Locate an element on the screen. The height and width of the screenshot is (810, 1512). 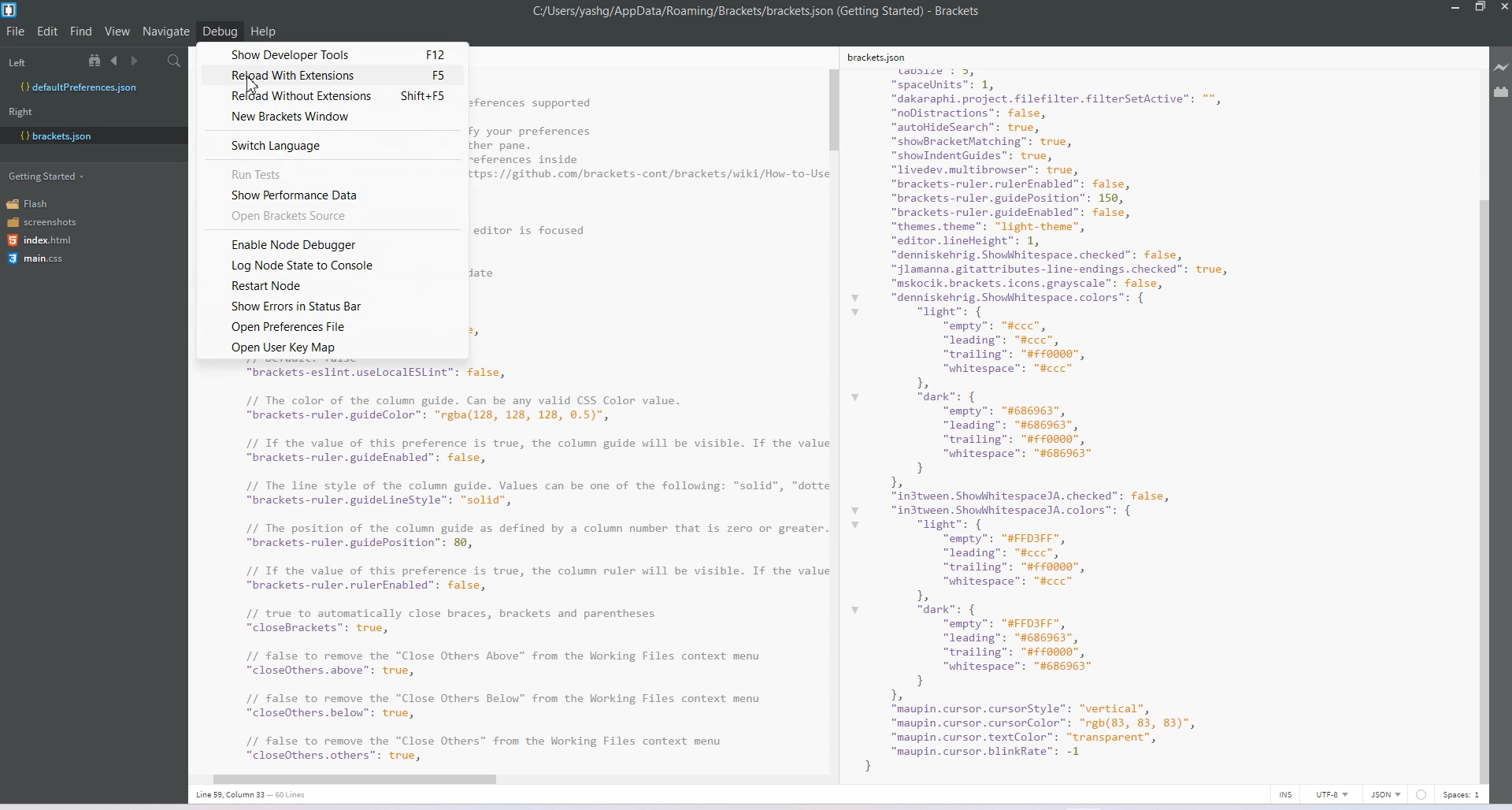
Horizontal Scroll Bar is located at coordinates (502, 776).